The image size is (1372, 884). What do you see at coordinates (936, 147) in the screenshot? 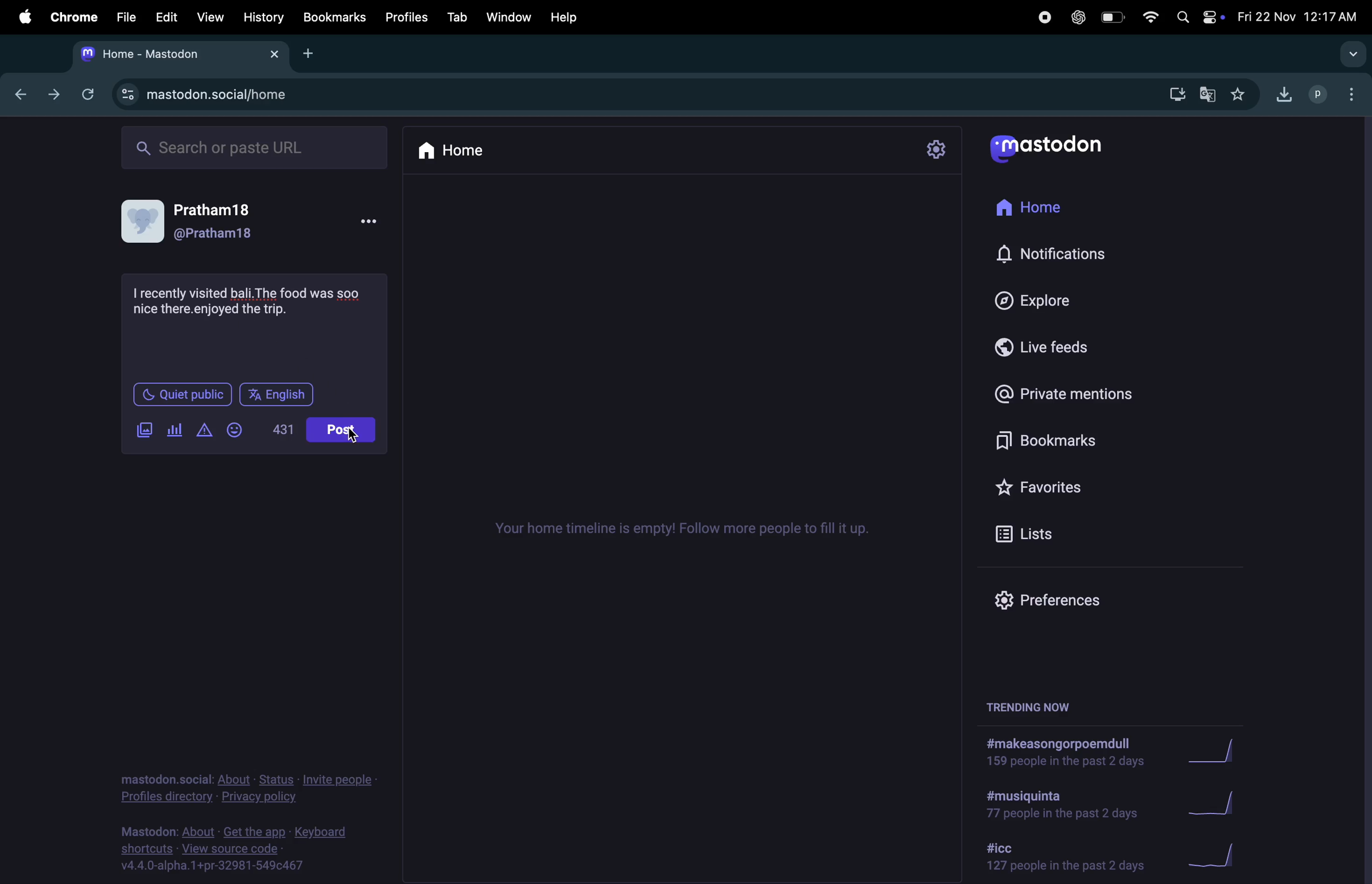
I see `settings` at bounding box center [936, 147].